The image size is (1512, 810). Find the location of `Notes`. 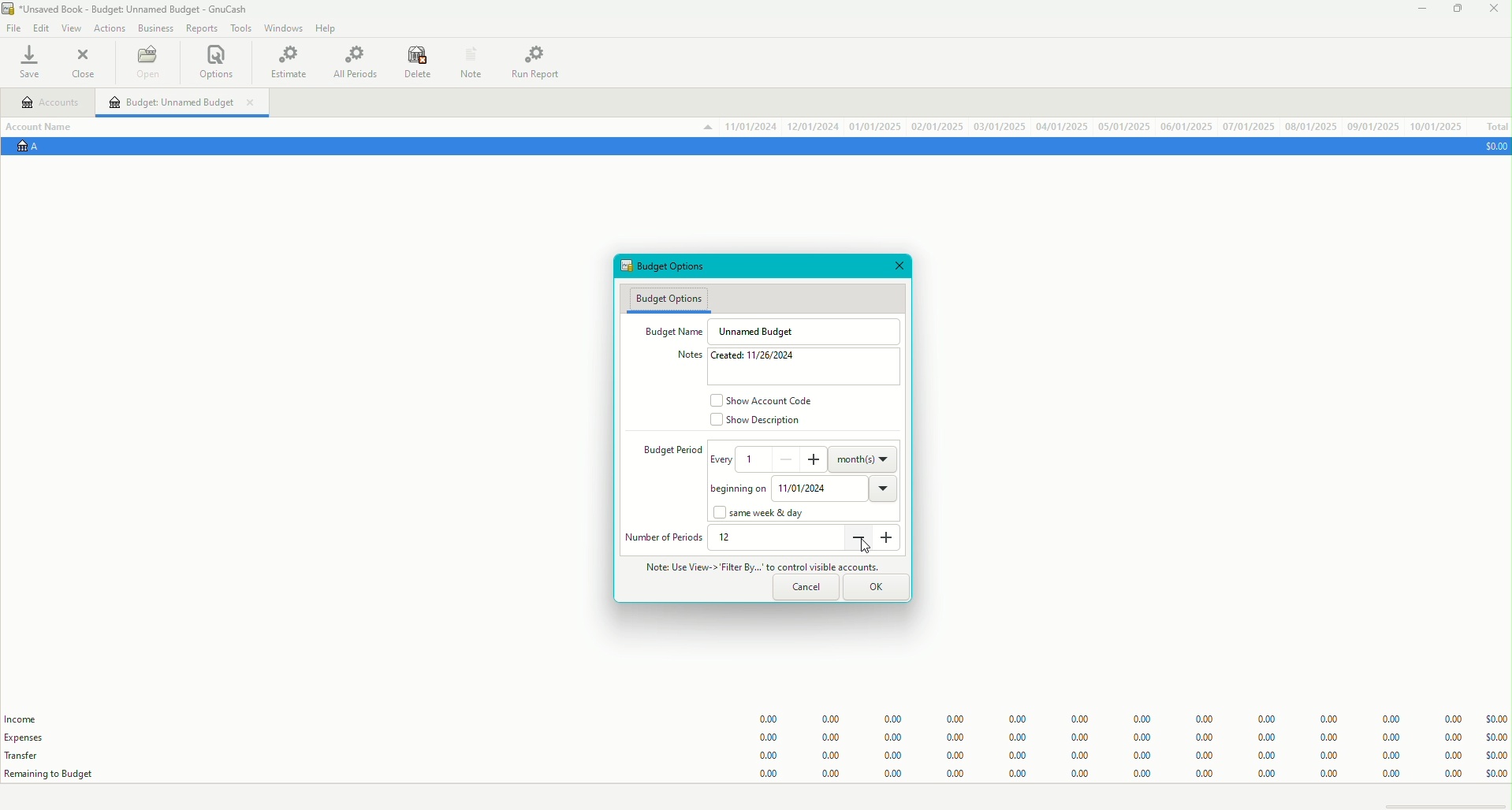

Notes is located at coordinates (683, 355).